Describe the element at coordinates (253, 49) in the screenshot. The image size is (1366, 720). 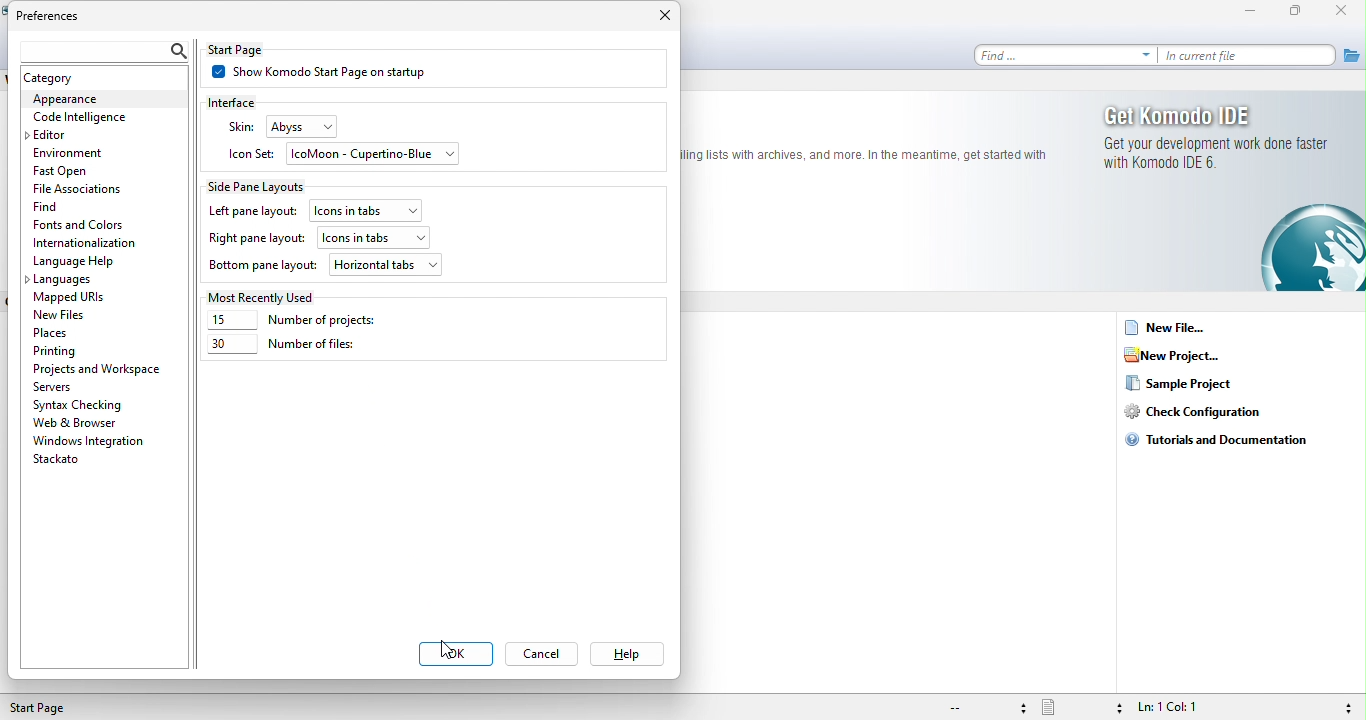
I see `start page` at that location.